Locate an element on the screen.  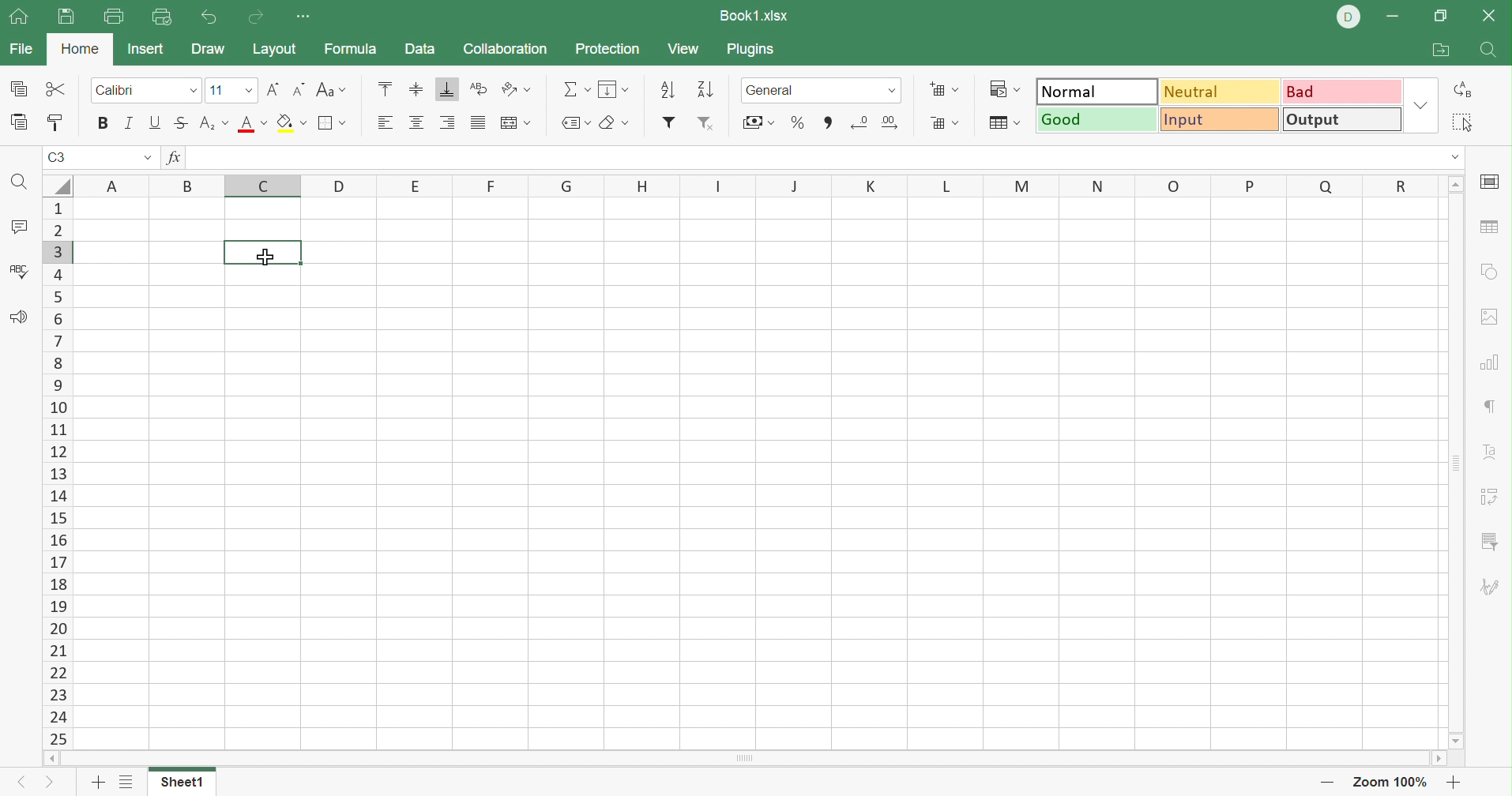
Row names is located at coordinates (57, 472).